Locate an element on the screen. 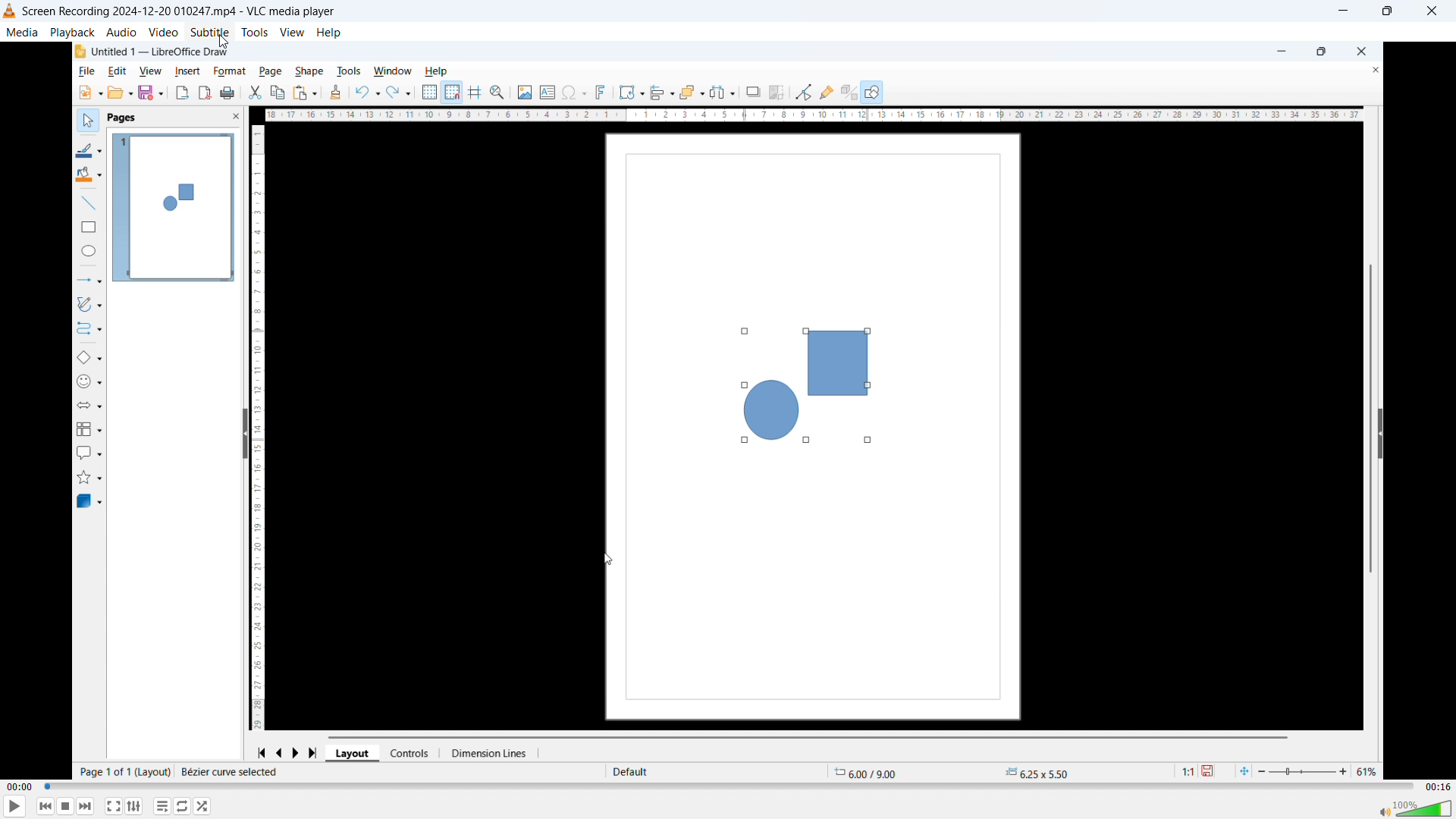 Image resolution: width=1456 pixels, height=819 pixels. clone formatting is located at coordinates (335, 93).